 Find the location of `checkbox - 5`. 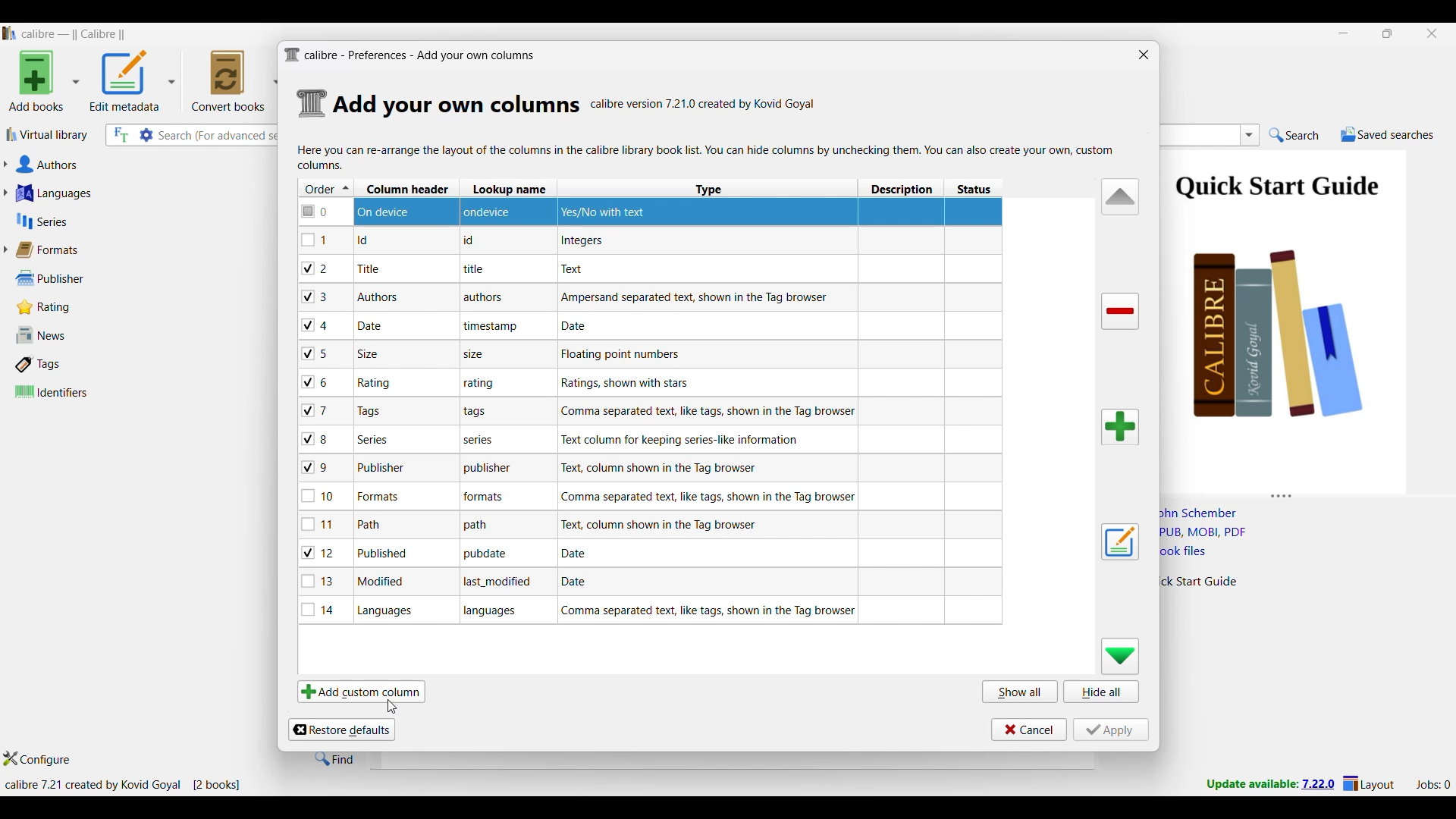

checkbox - 5 is located at coordinates (321, 353).